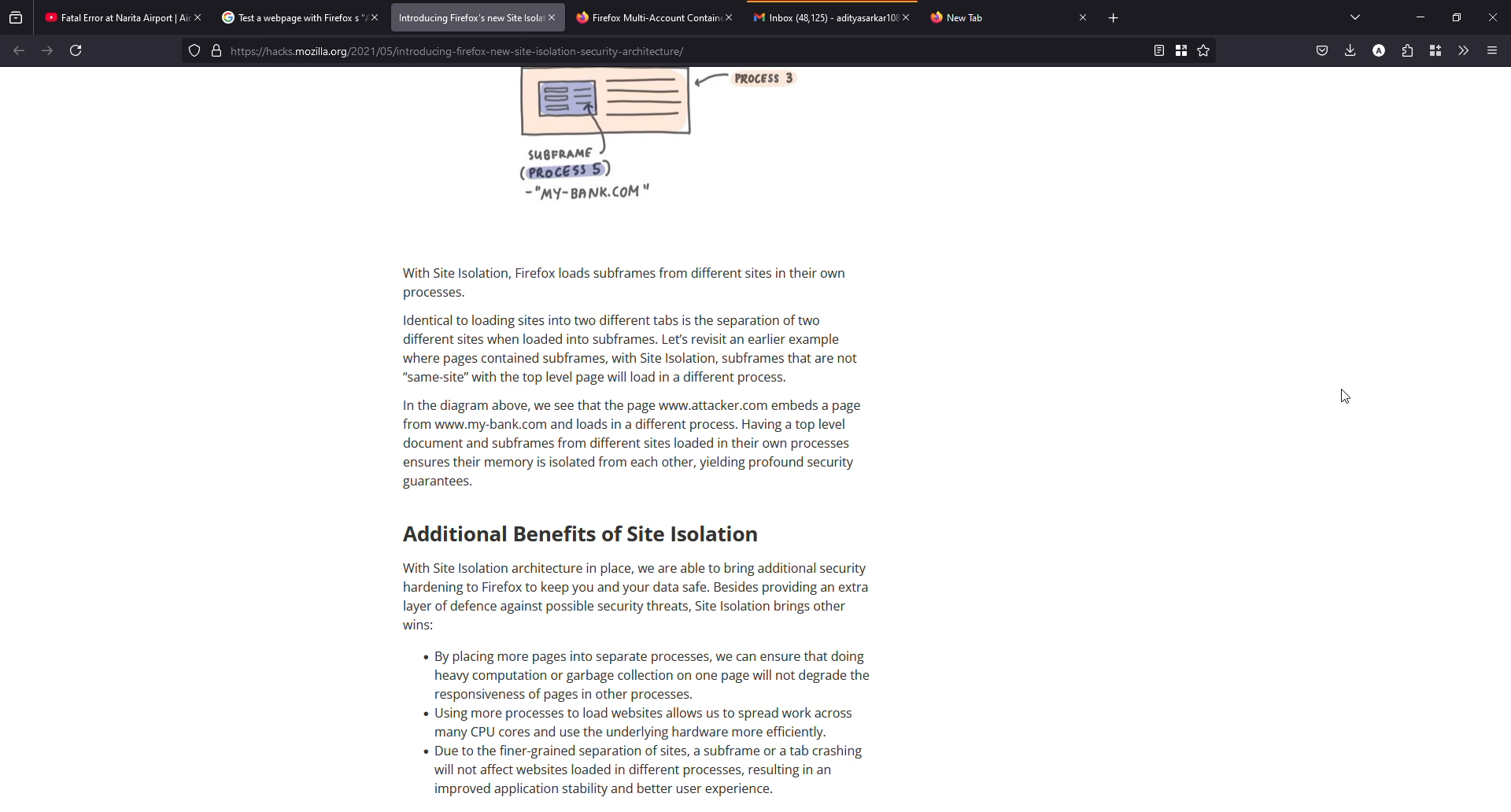 The width and height of the screenshot is (1511, 812). Describe the element at coordinates (76, 50) in the screenshot. I see `refresh` at that location.